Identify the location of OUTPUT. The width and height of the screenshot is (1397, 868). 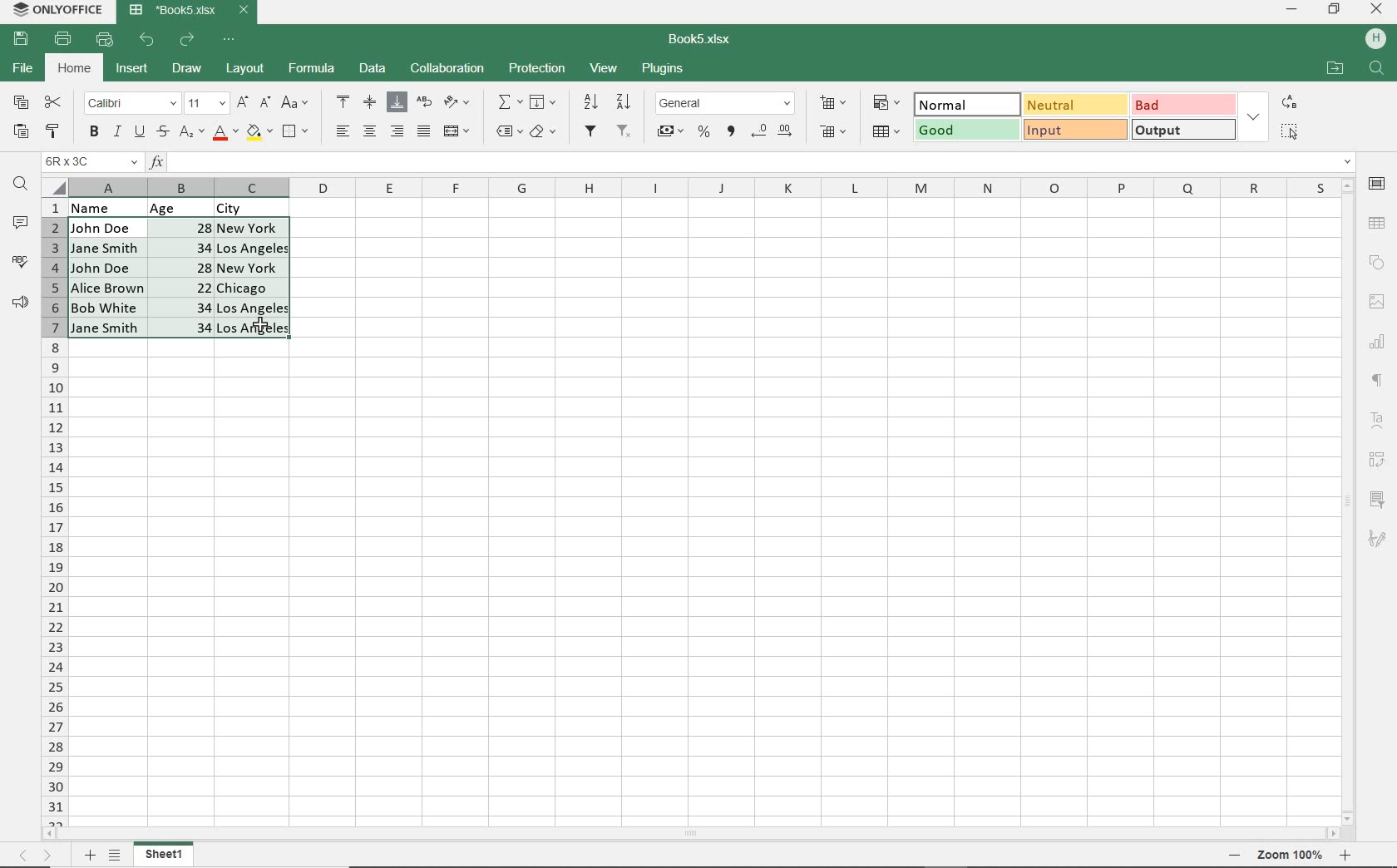
(1182, 129).